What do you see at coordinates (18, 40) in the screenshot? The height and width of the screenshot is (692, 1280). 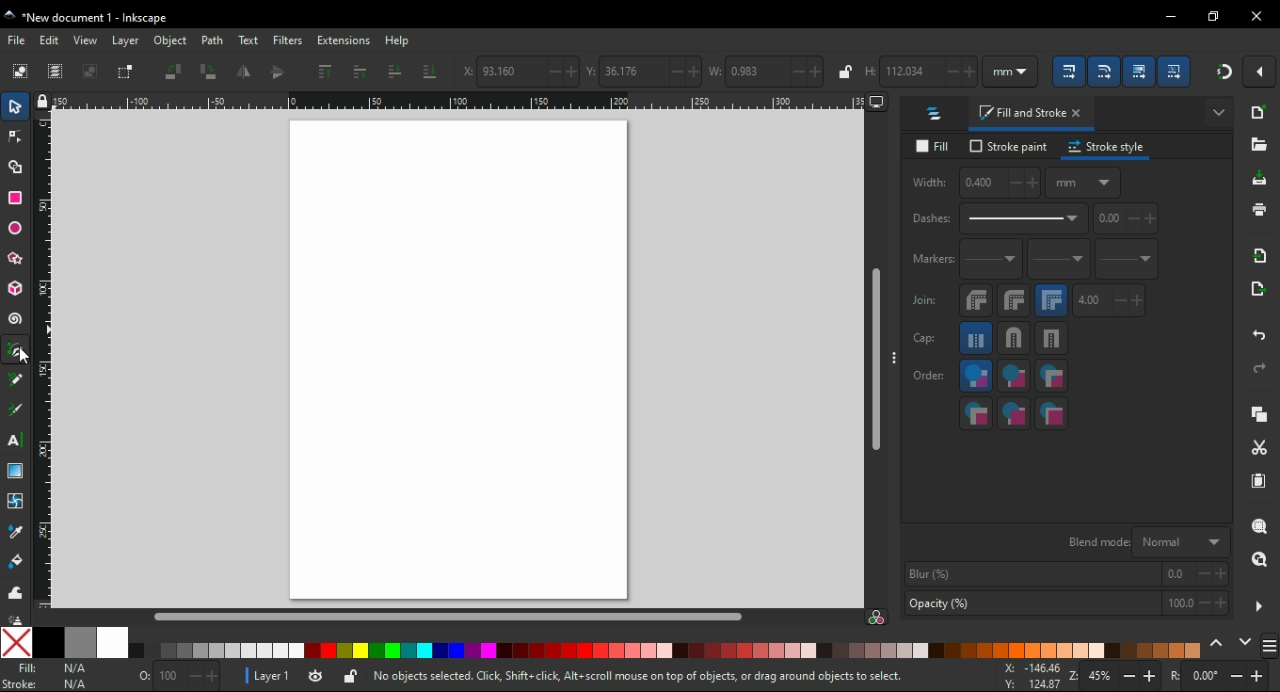 I see `file` at bounding box center [18, 40].